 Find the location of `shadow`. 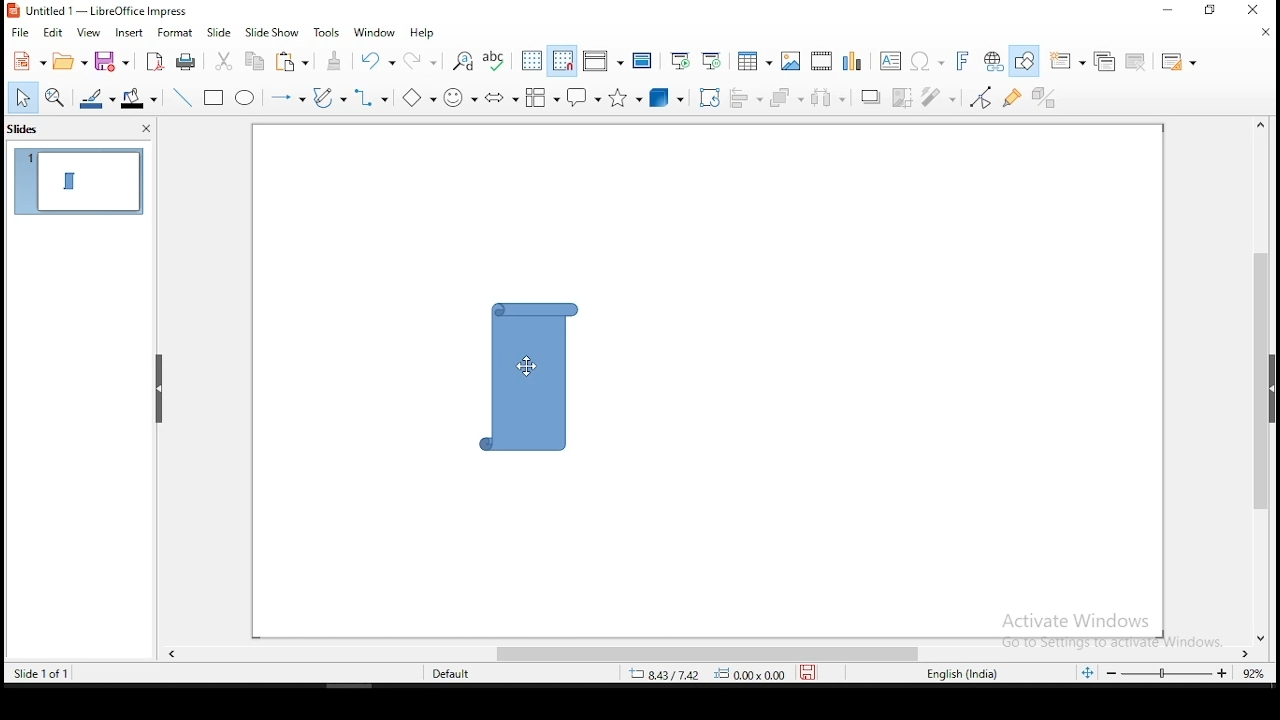

shadow is located at coordinates (868, 97).